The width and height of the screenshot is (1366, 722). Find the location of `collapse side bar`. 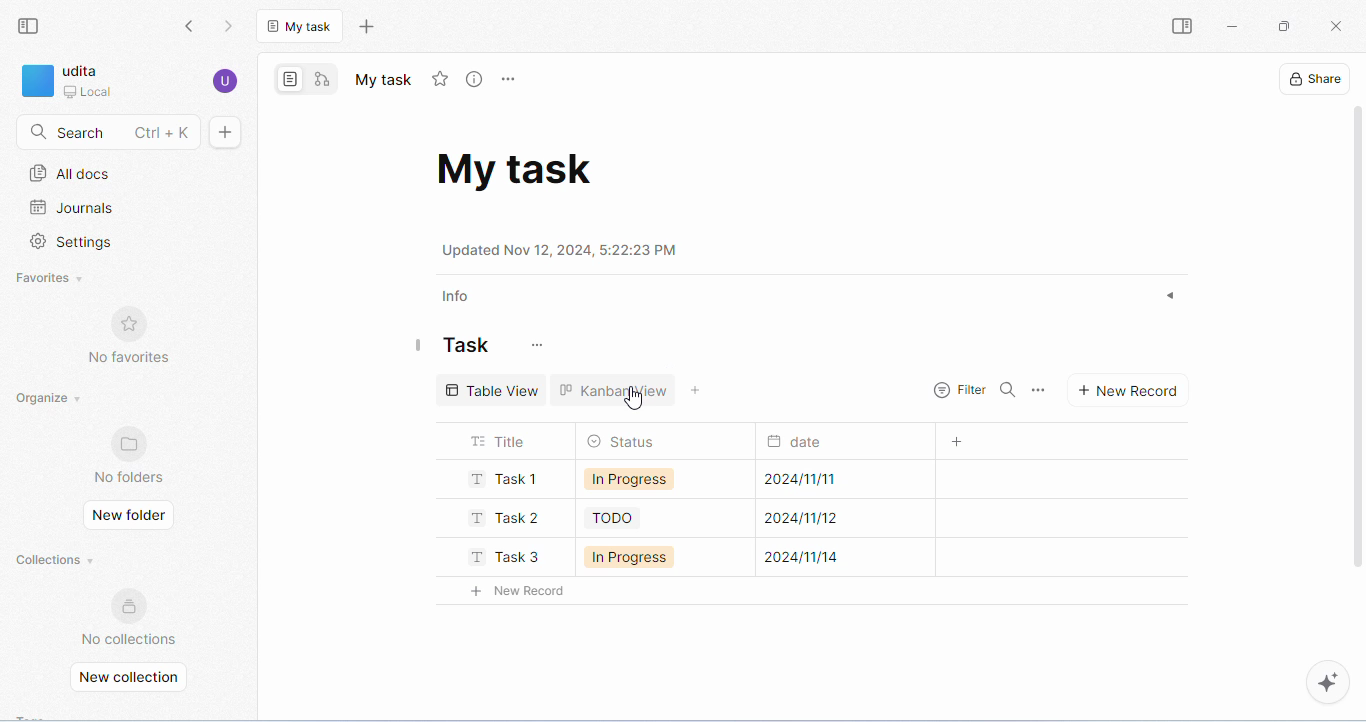

collapse side bar is located at coordinates (30, 26).